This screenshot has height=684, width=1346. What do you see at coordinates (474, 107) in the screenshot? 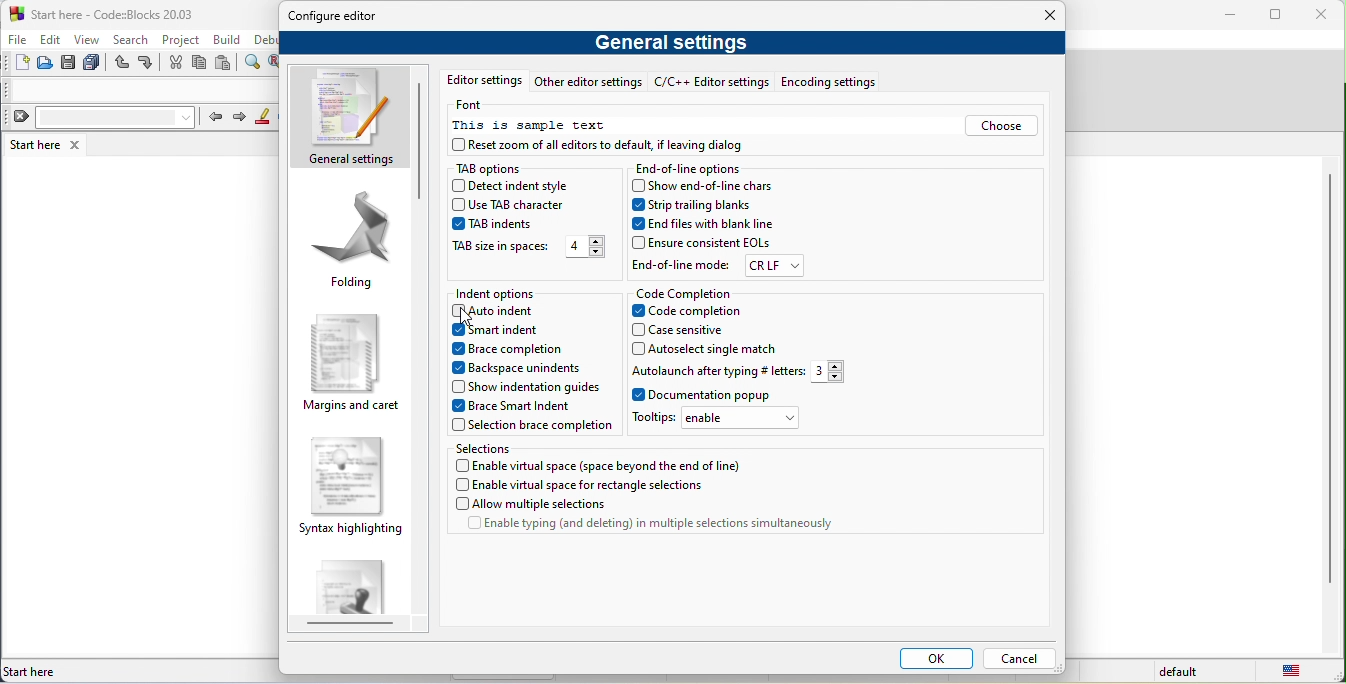
I see `font` at bounding box center [474, 107].